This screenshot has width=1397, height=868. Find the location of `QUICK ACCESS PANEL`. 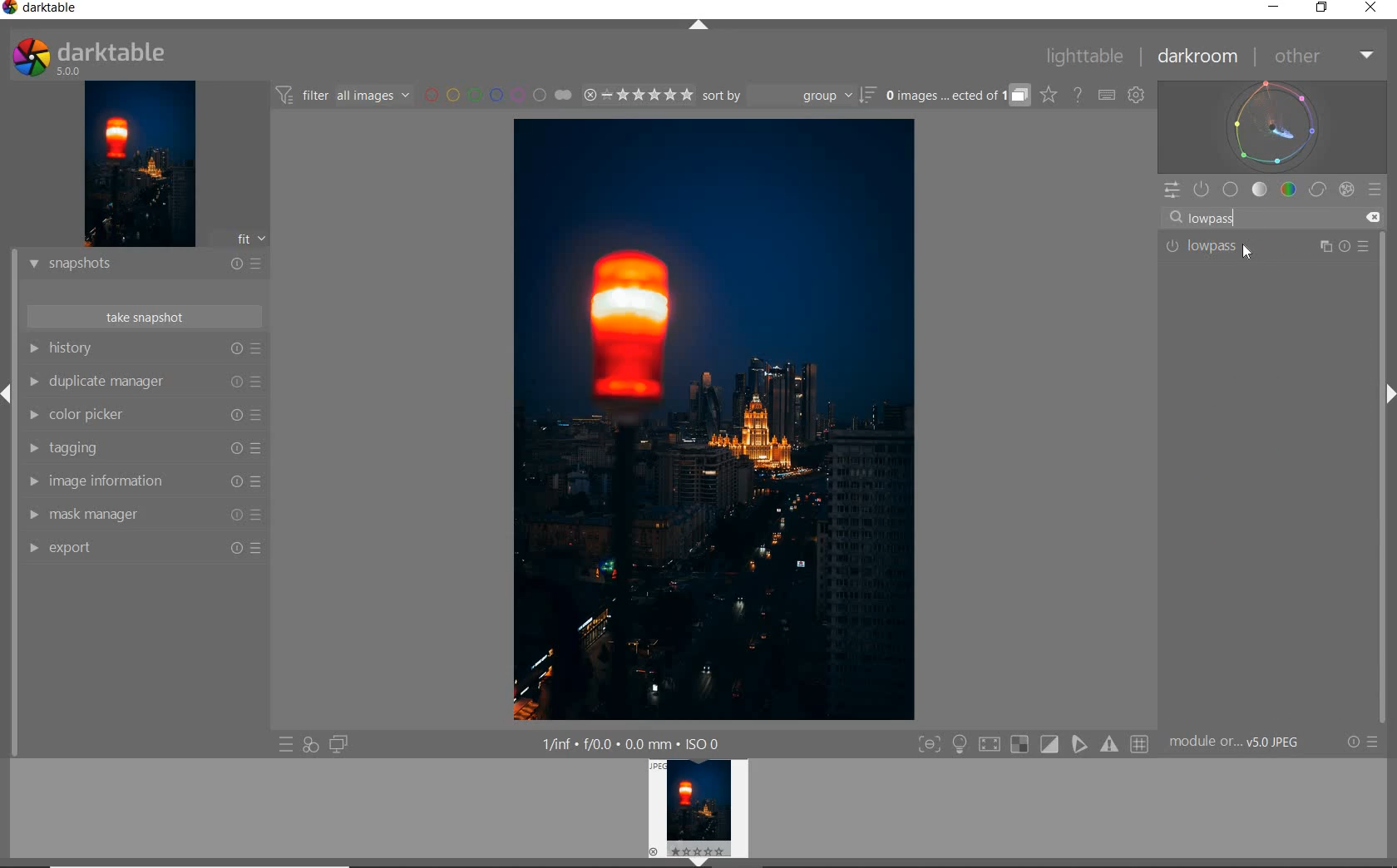

QUICK ACCESS PANEL is located at coordinates (1172, 187).